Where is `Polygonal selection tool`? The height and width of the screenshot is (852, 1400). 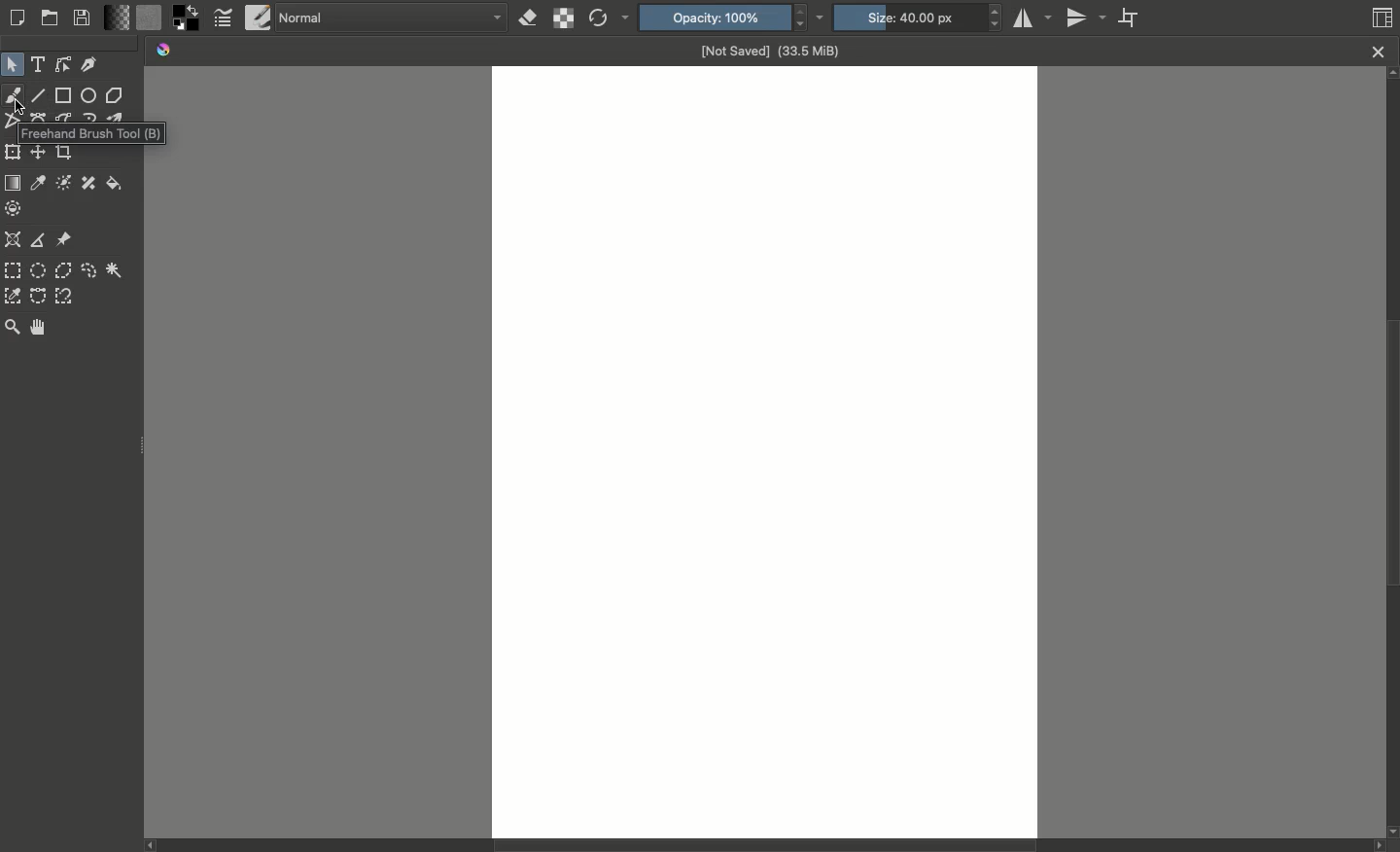 Polygonal selection tool is located at coordinates (63, 270).